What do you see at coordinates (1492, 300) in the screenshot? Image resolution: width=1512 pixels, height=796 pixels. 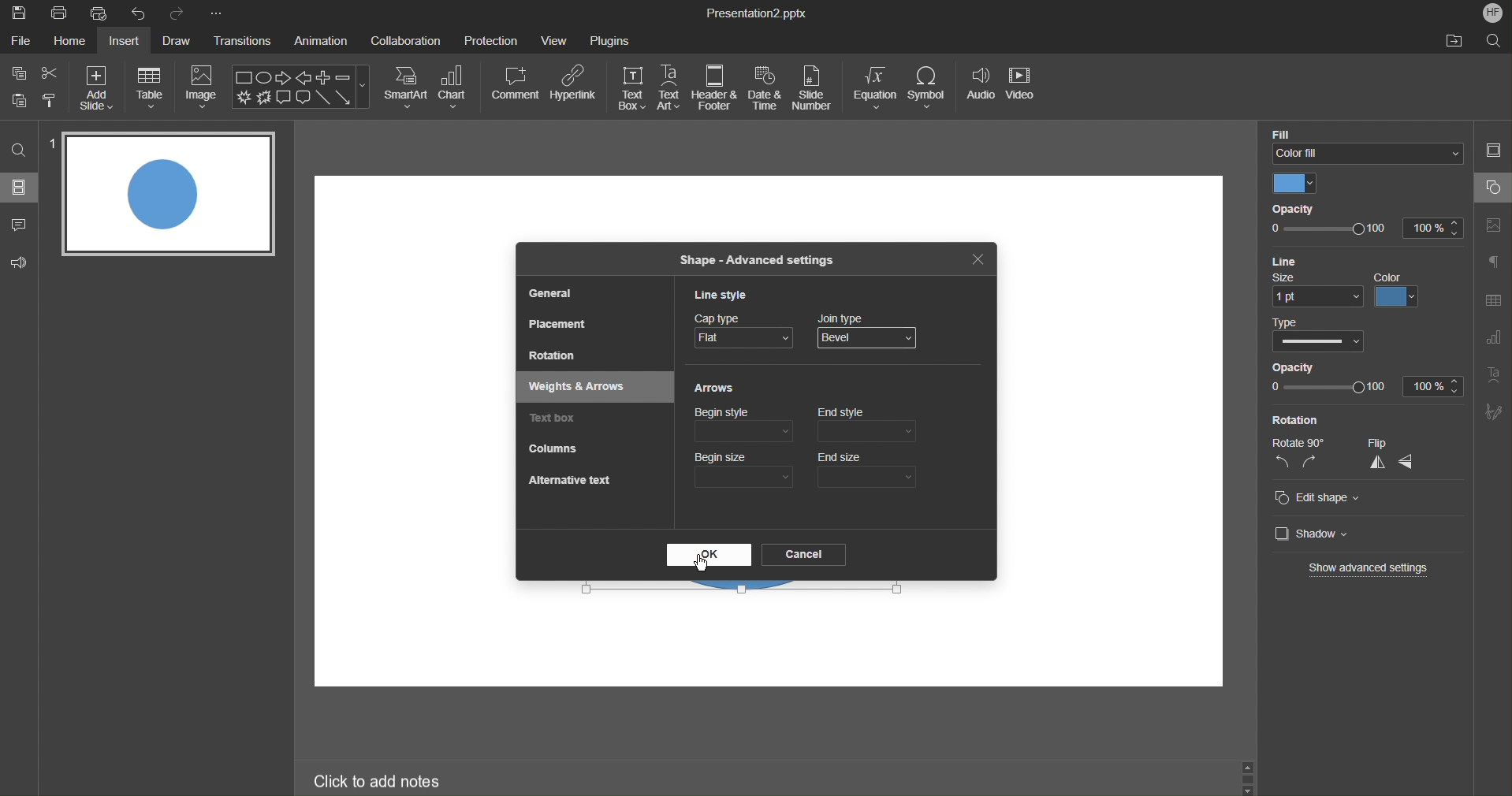 I see `Table Settings` at bounding box center [1492, 300].